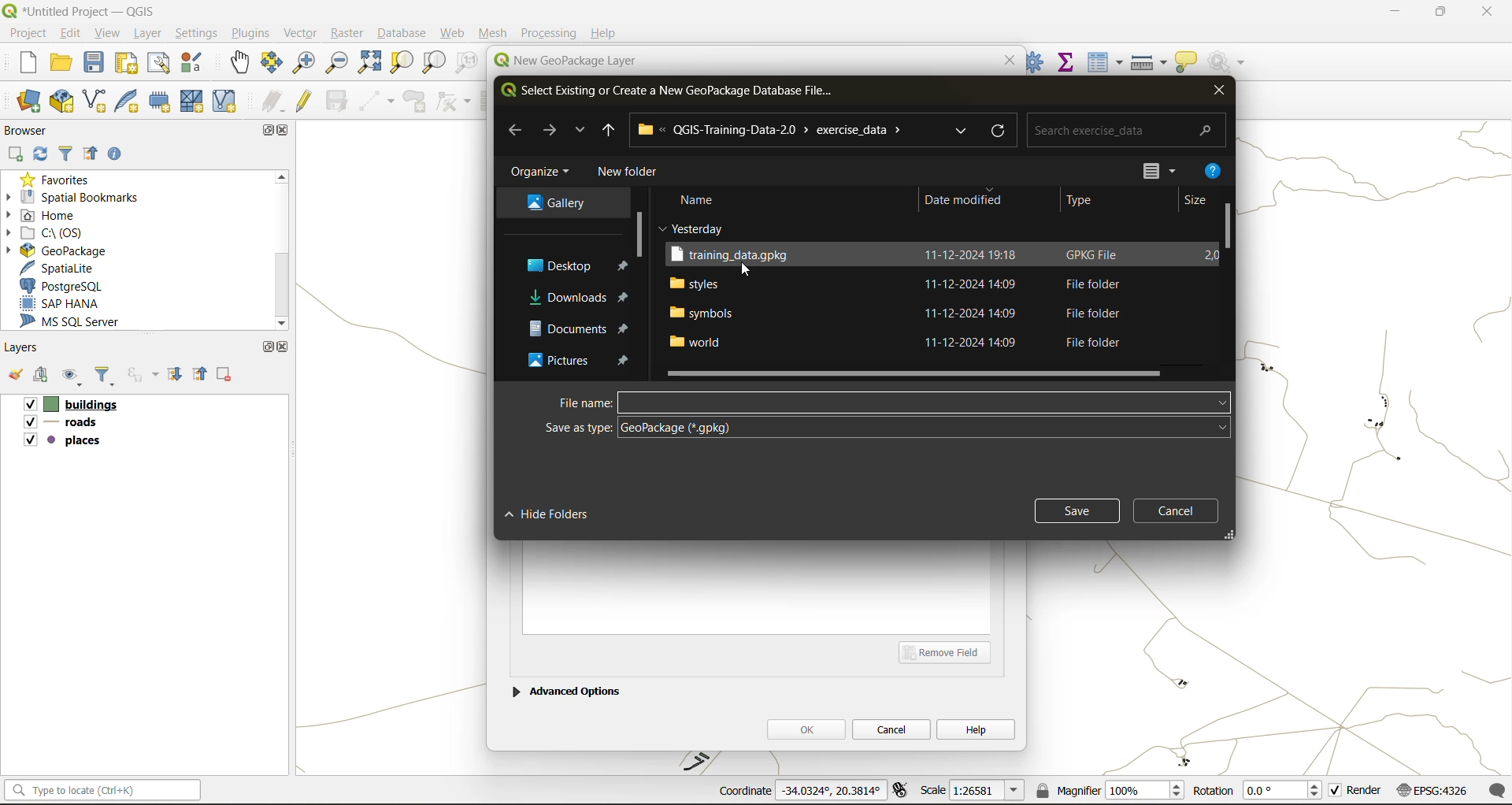  What do you see at coordinates (14, 378) in the screenshot?
I see `open` at bounding box center [14, 378].